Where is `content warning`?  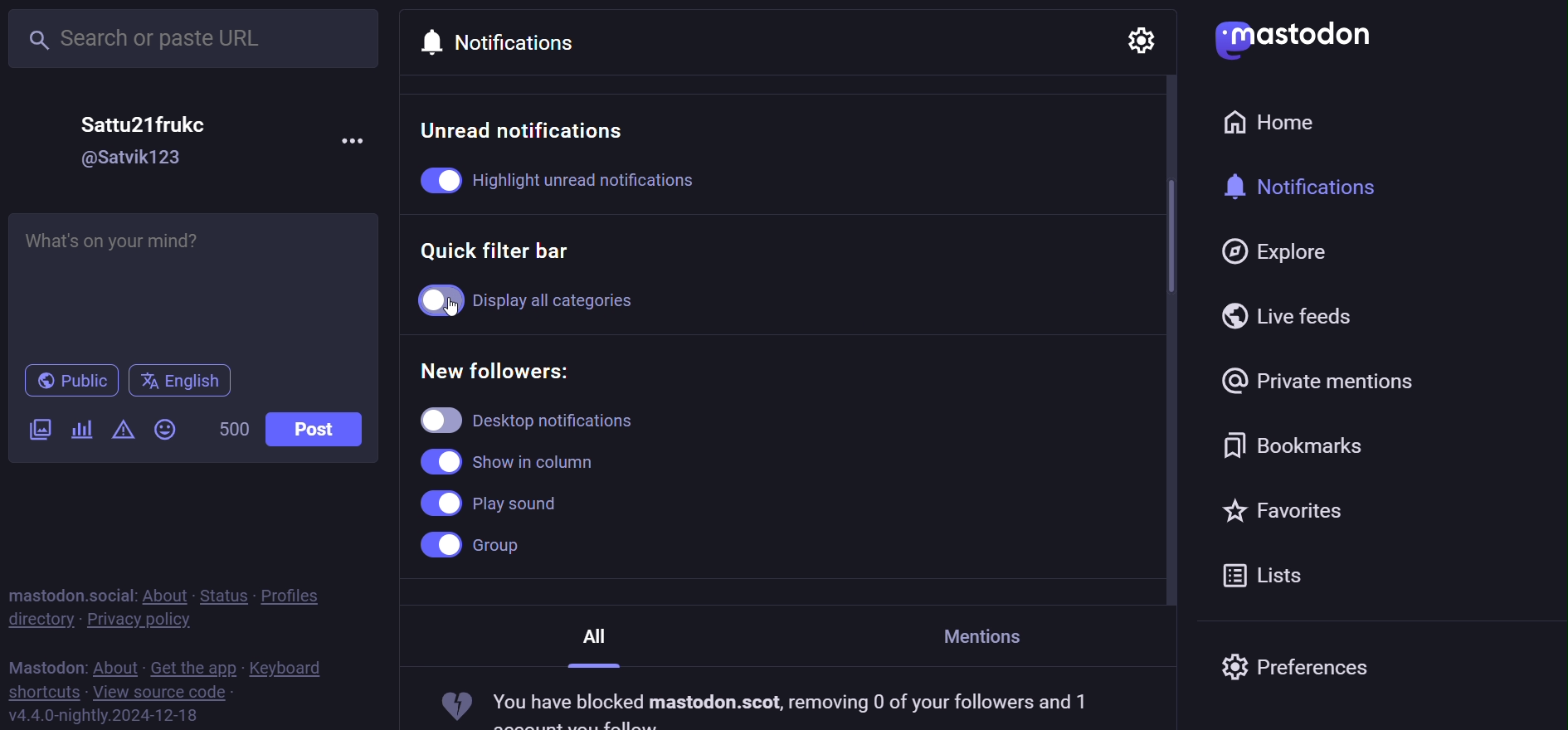 content warning is located at coordinates (121, 431).